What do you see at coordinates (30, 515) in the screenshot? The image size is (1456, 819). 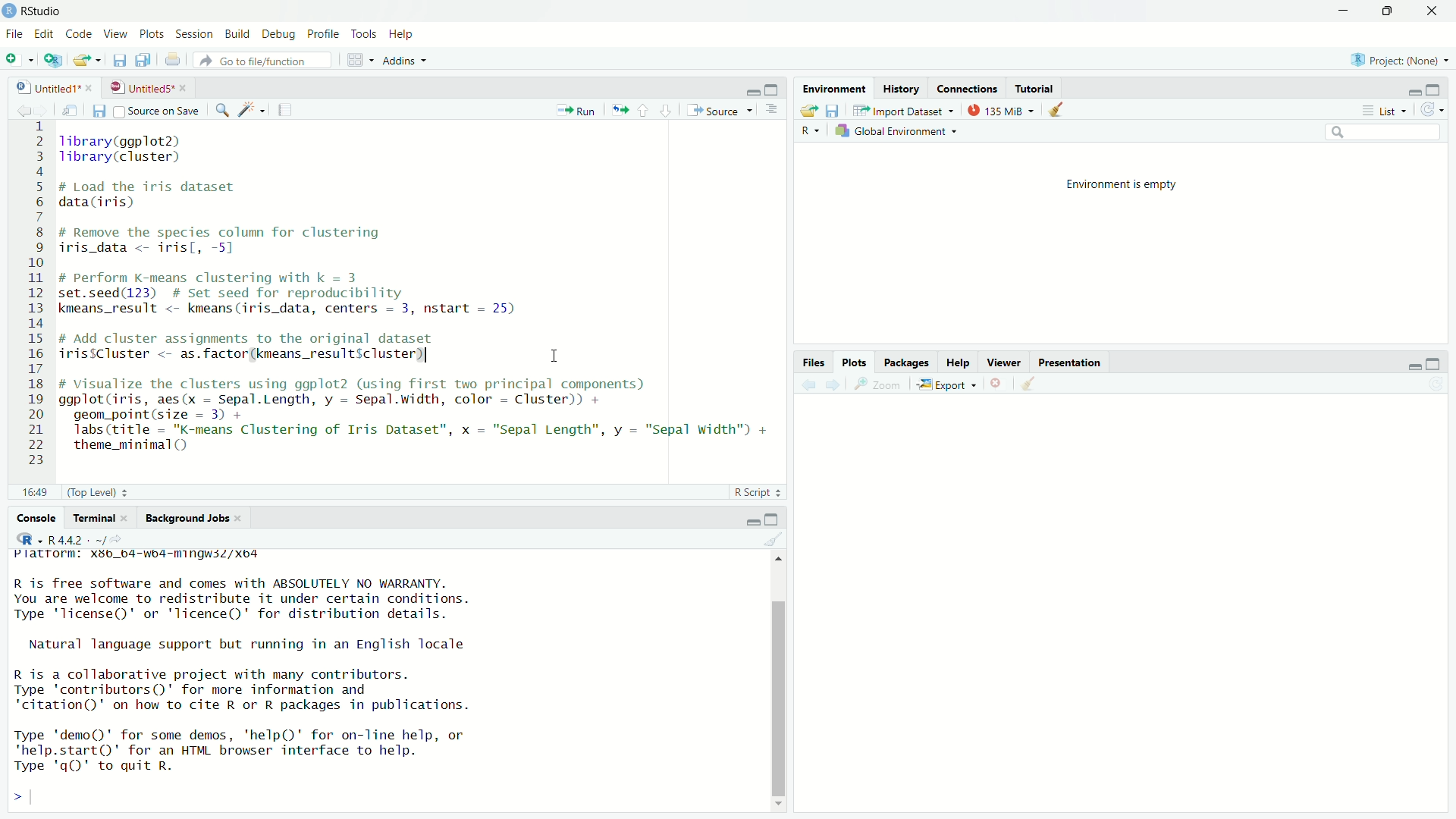 I see `console` at bounding box center [30, 515].